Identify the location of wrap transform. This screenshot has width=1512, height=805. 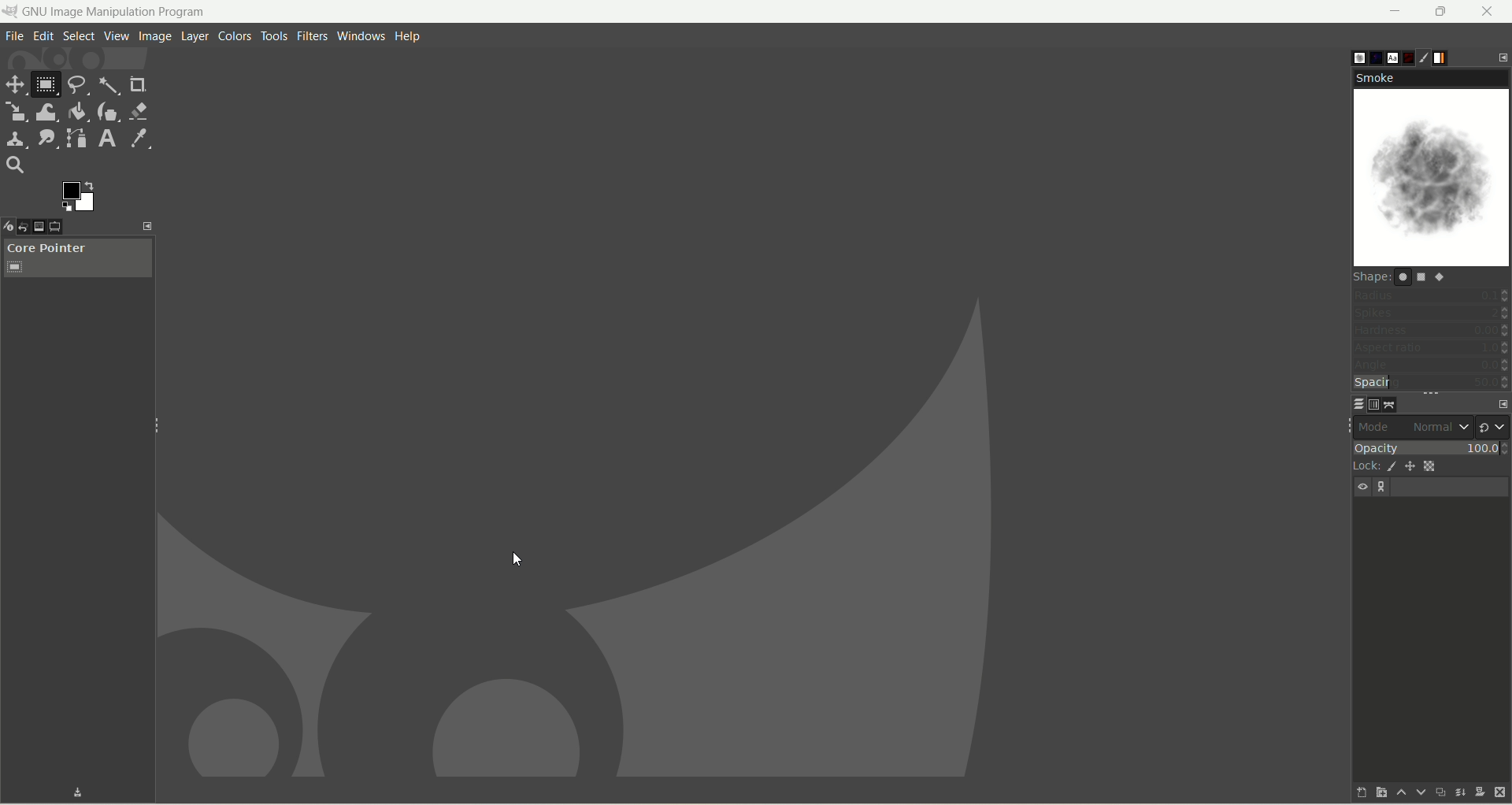
(46, 112).